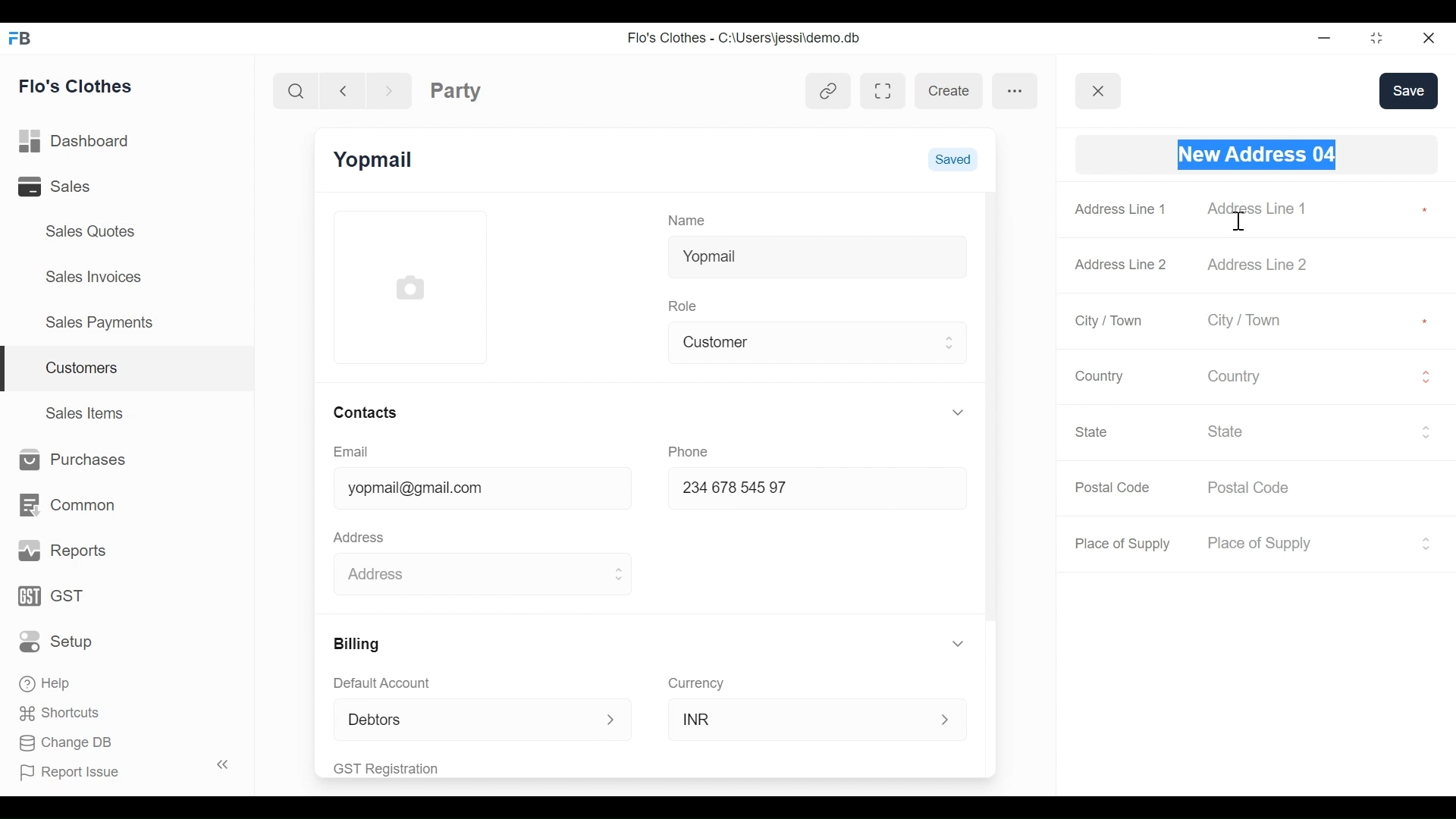 The width and height of the screenshot is (1456, 819). I want to click on Expand, so click(951, 342).